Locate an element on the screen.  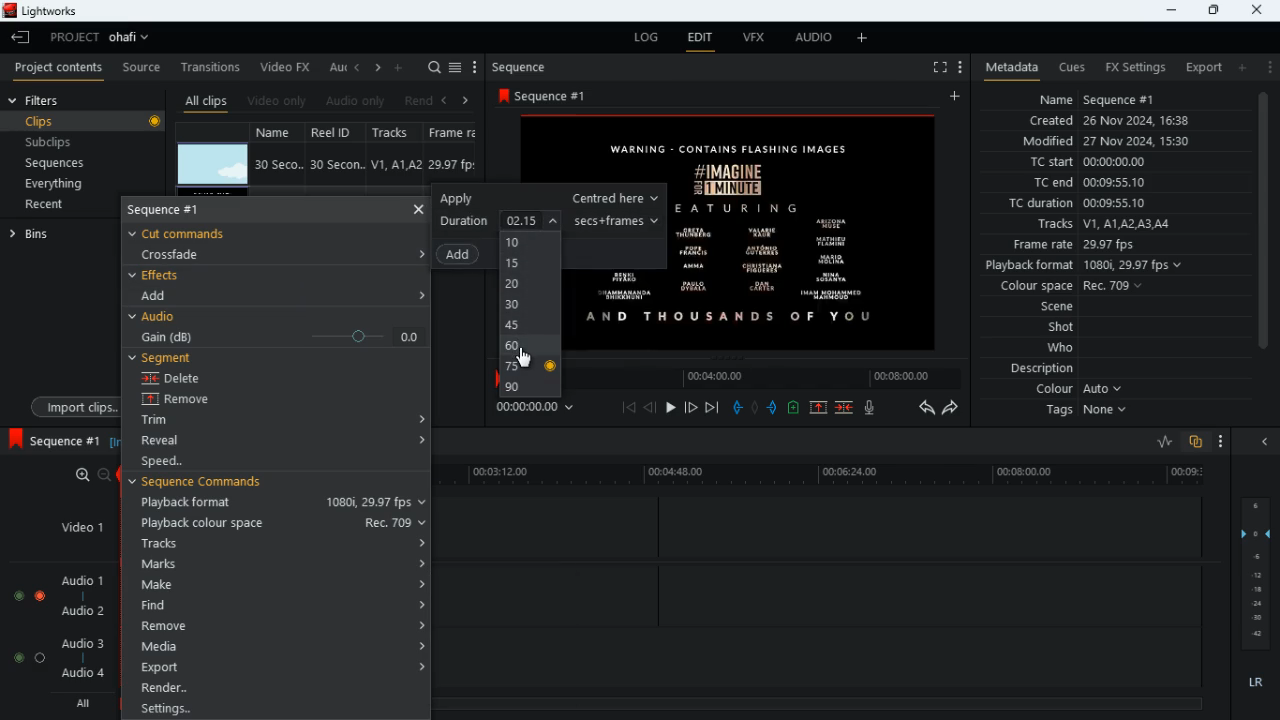
fx settings is located at coordinates (1134, 66).